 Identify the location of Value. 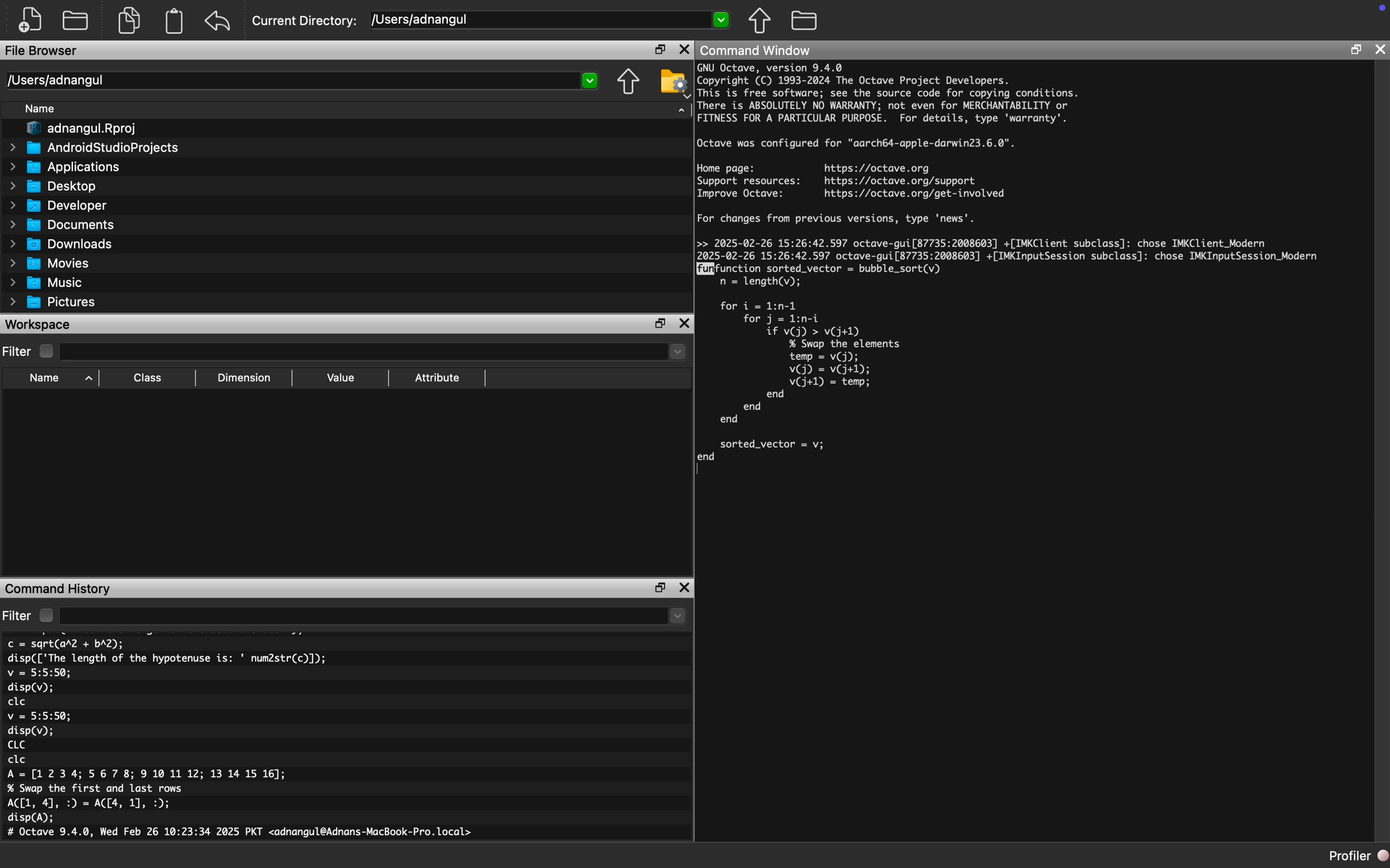
(339, 378).